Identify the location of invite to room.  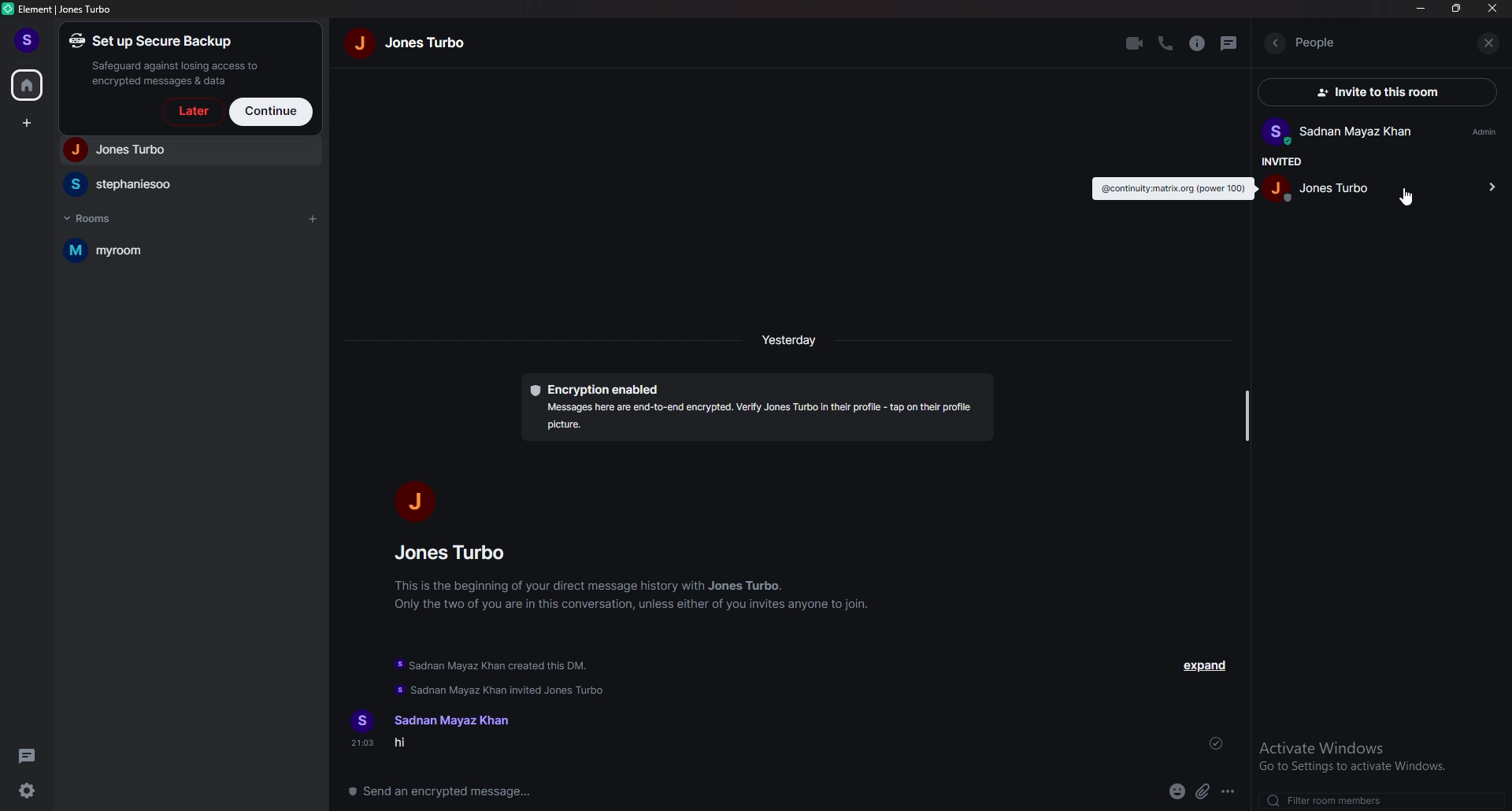
(1386, 91).